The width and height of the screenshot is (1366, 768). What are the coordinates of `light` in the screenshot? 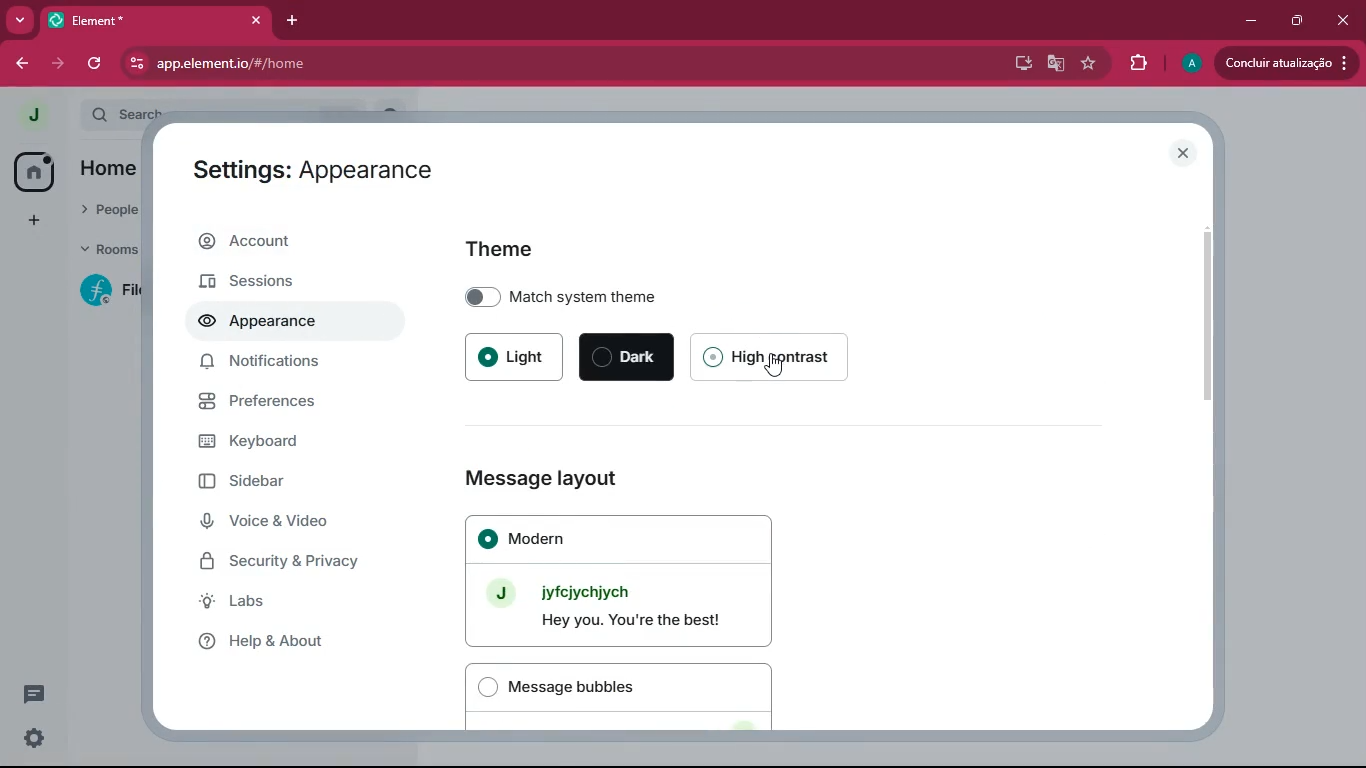 It's located at (517, 358).